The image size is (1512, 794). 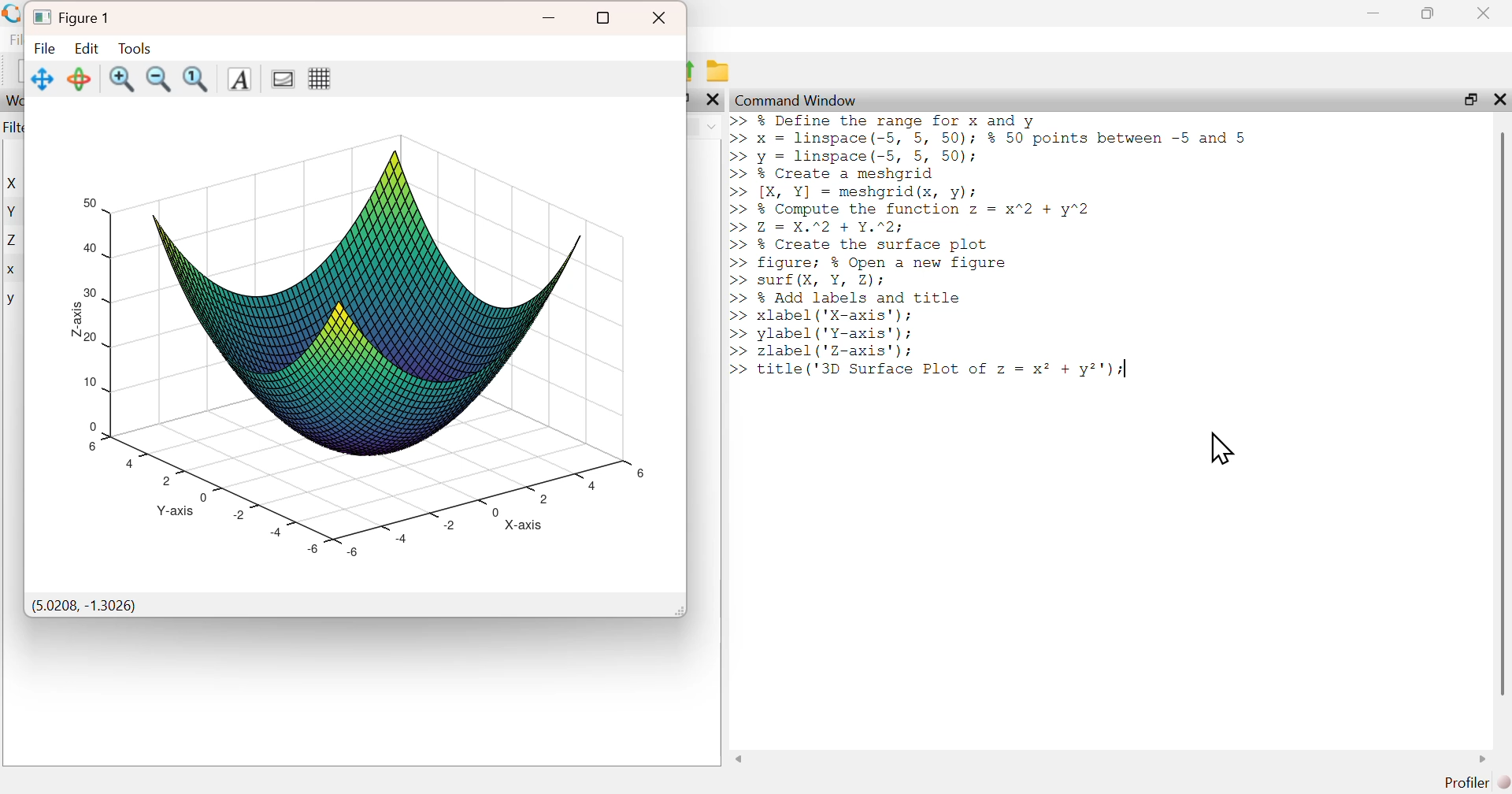 I want to click on X, so click(x=15, y=184).